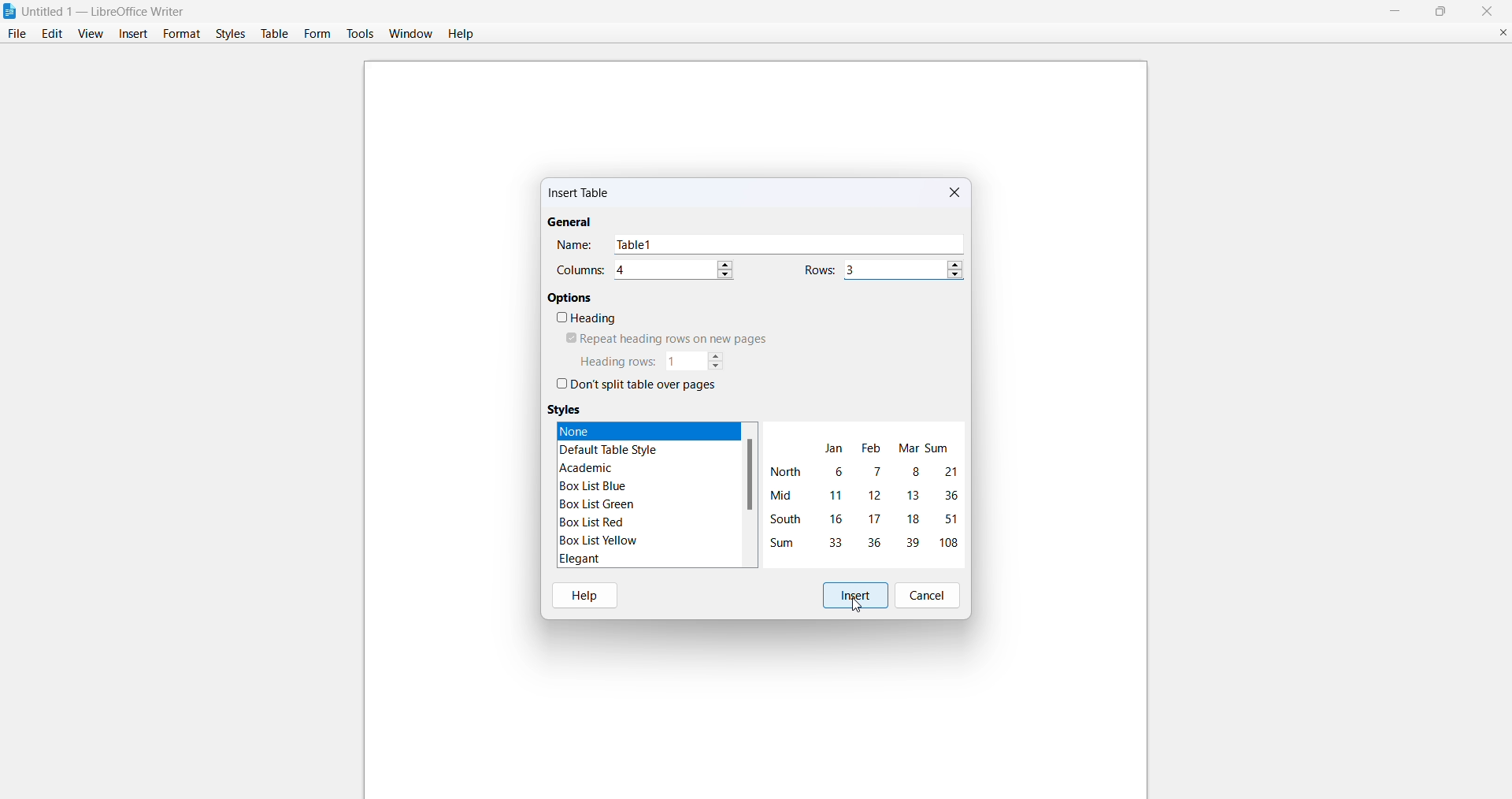  I want to click on maximize, so click(1443, 11).